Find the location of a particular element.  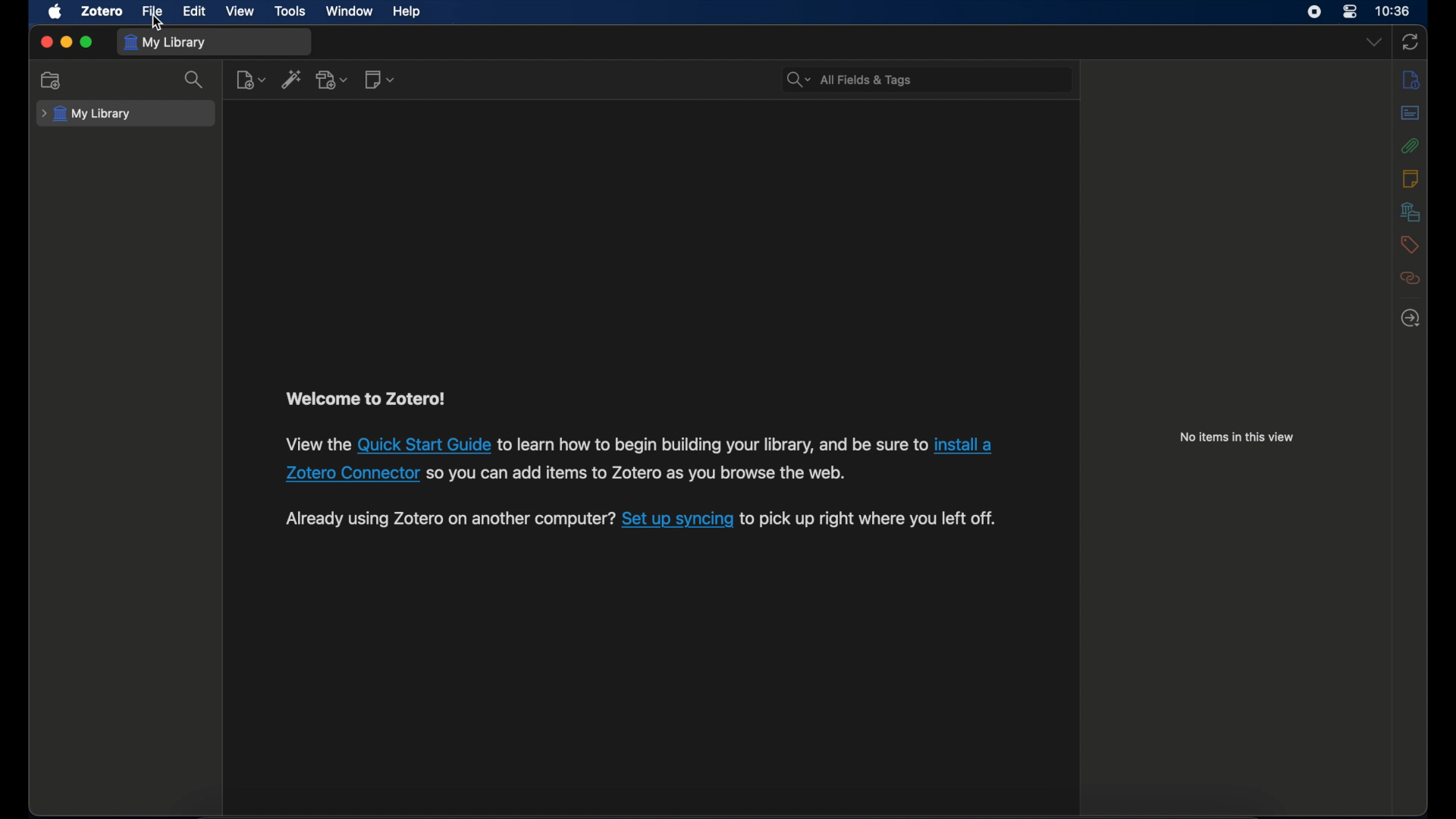

minimize is located at coordinates (65, 42).